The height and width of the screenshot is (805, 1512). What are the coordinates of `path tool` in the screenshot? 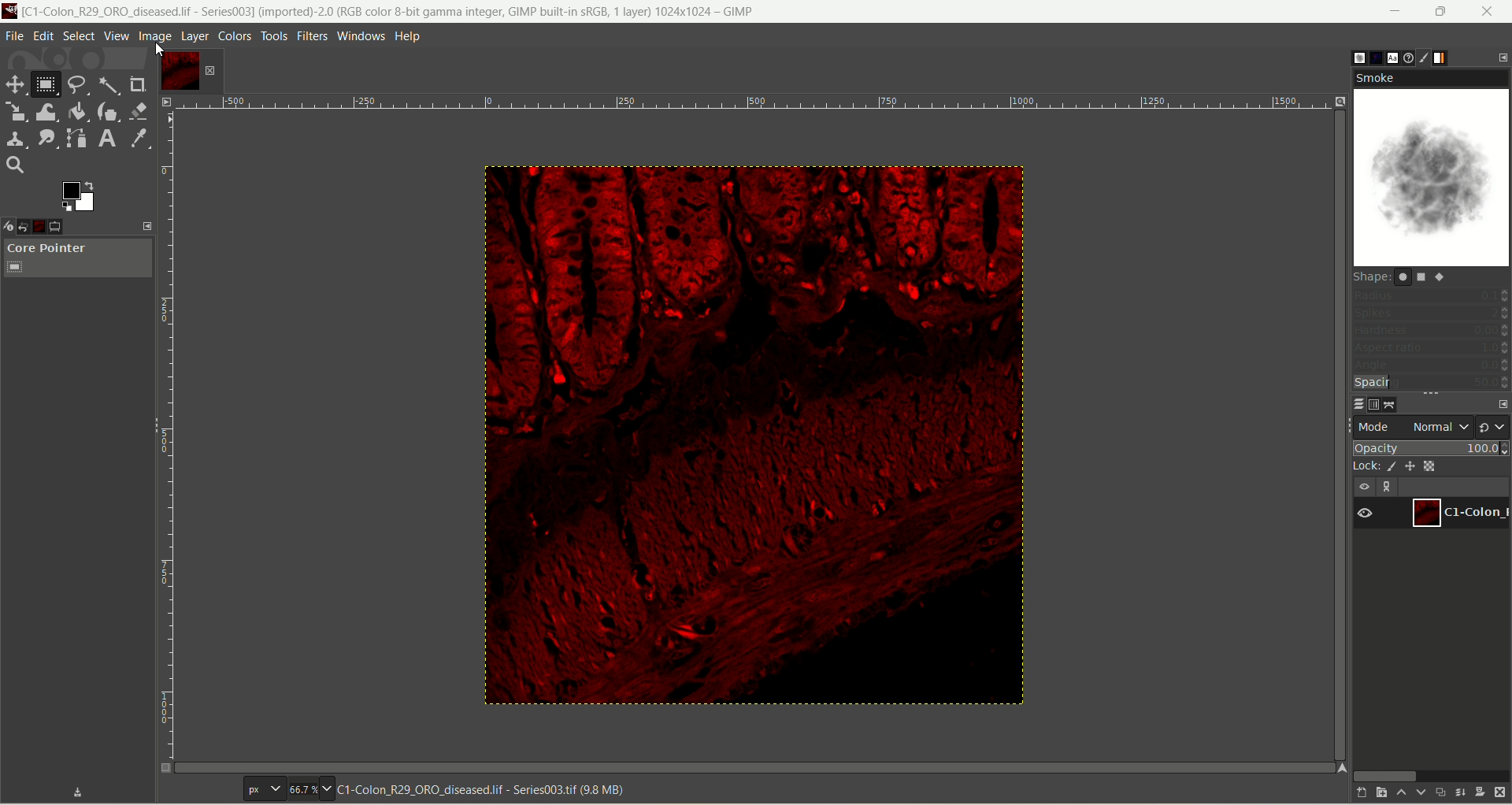 It's located at (76, 138).